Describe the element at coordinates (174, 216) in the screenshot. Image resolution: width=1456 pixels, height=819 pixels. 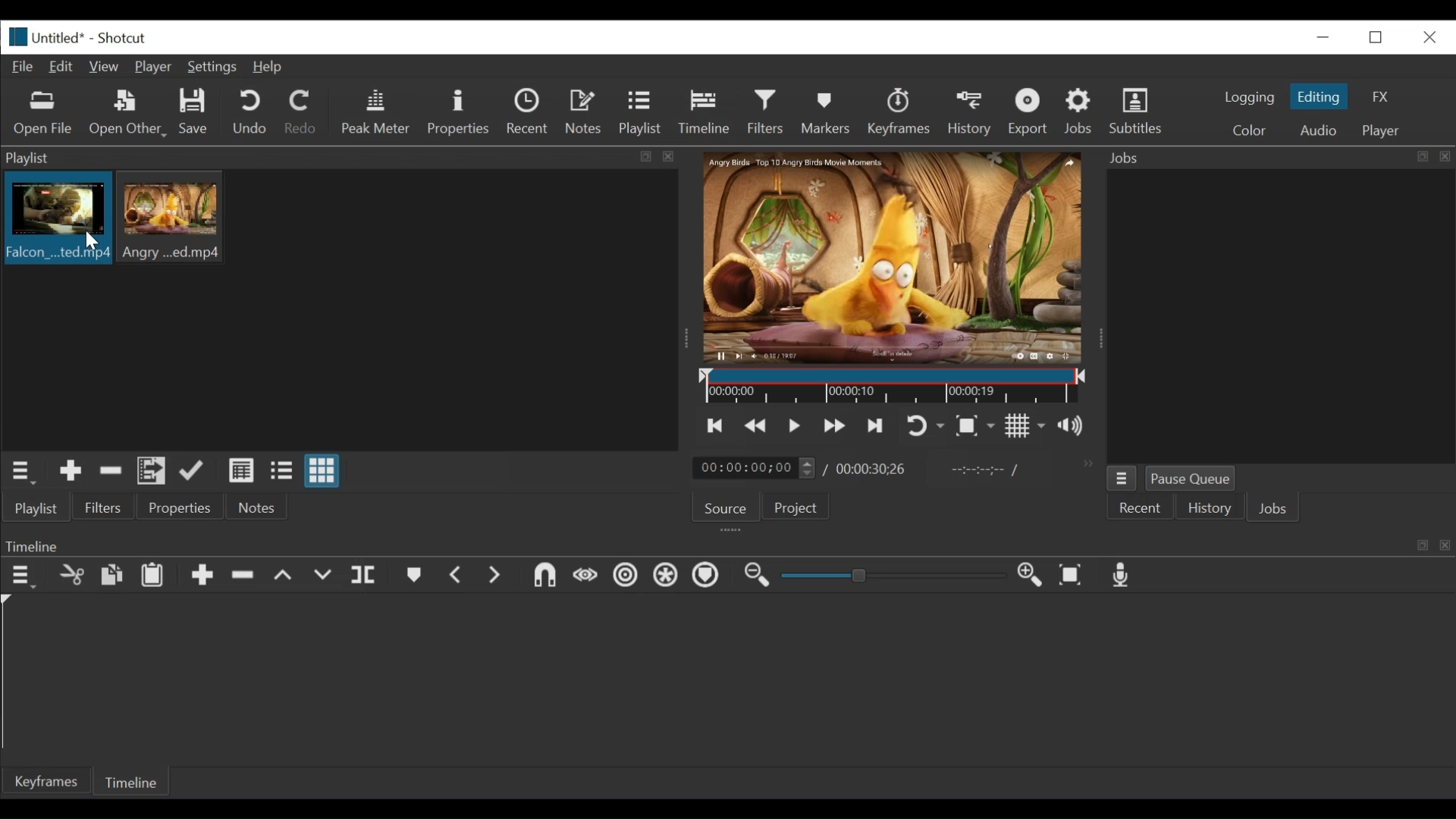
I see `clip` at that location.